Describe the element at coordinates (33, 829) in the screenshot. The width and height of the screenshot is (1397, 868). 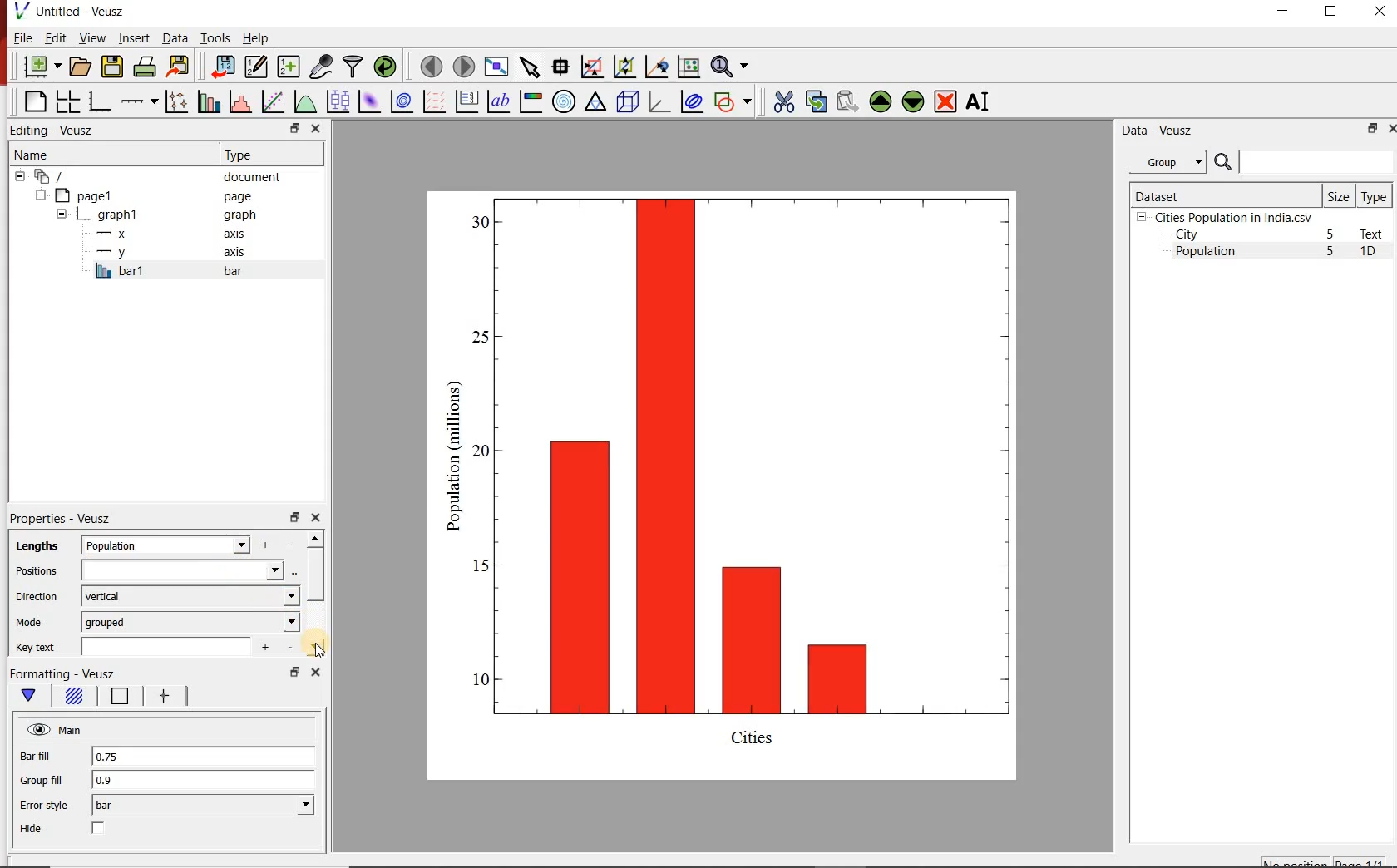
I see `Hide` at that location.